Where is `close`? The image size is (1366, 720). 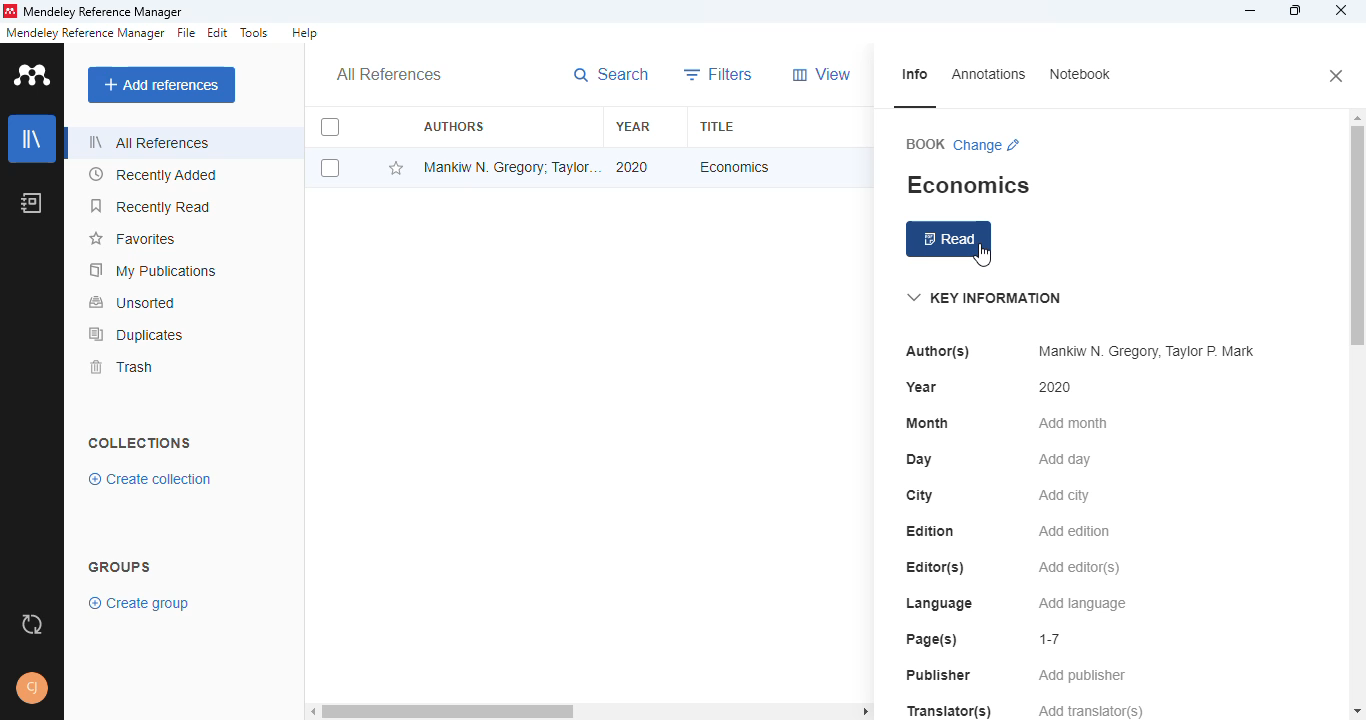
close is located at coordinates (1336, 77).